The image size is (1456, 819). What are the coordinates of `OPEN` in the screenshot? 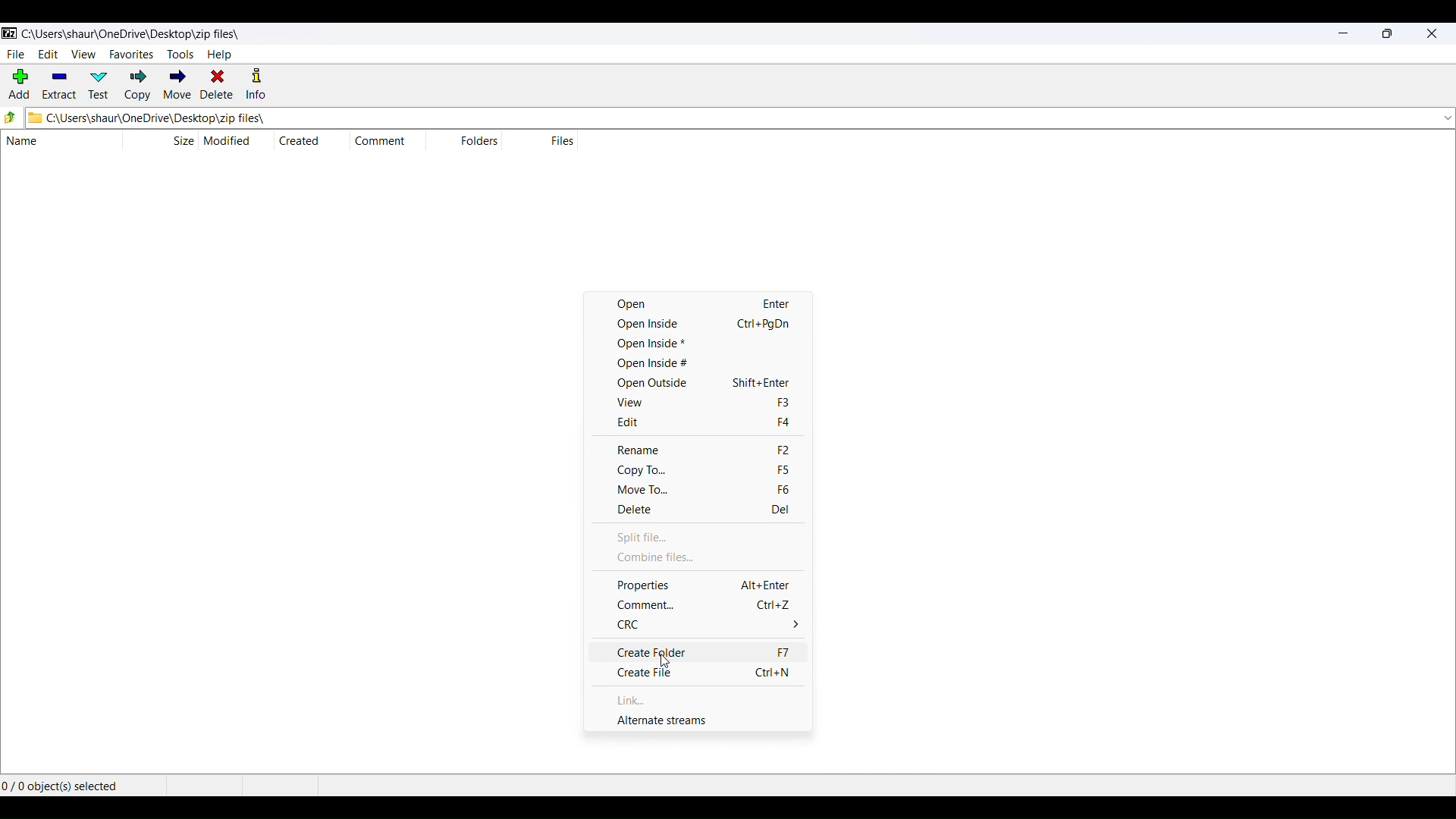 It's located at (704, 303).